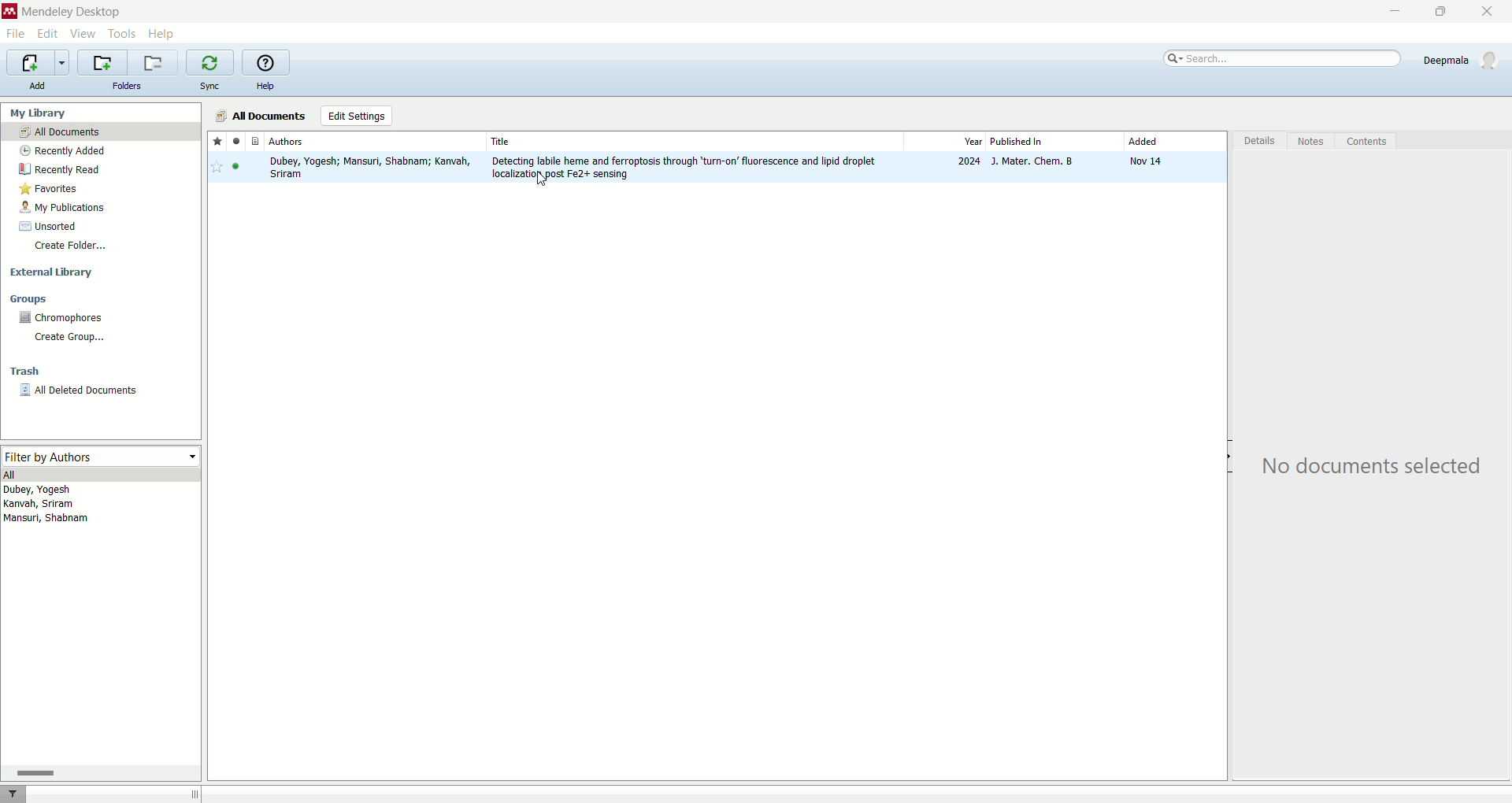  Describe the element at coordinates (101, 132) in the screenshot. I see `all documents` at that location.